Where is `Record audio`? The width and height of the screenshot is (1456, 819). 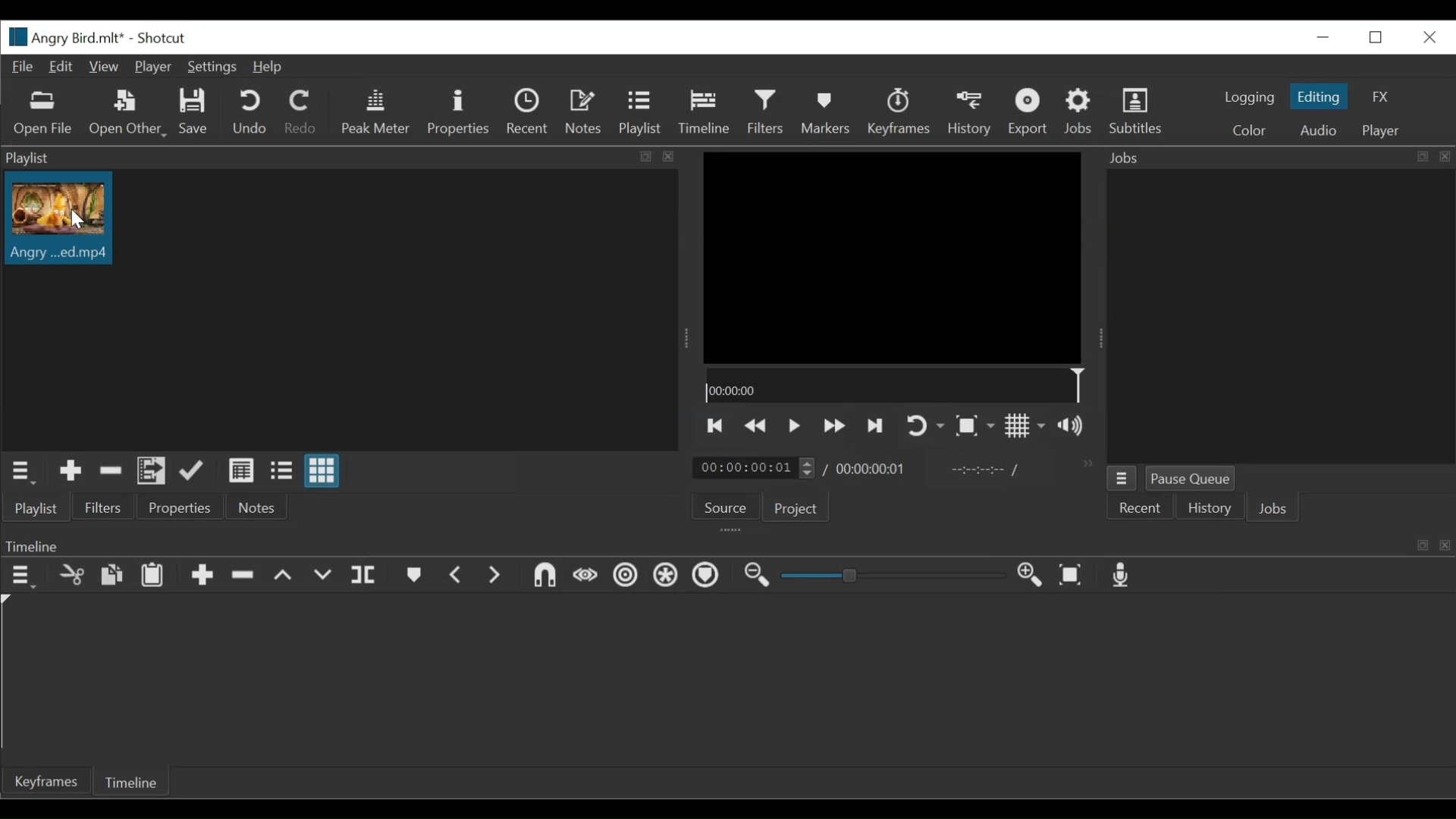 Record audio is located at coordinates (1122, 576).